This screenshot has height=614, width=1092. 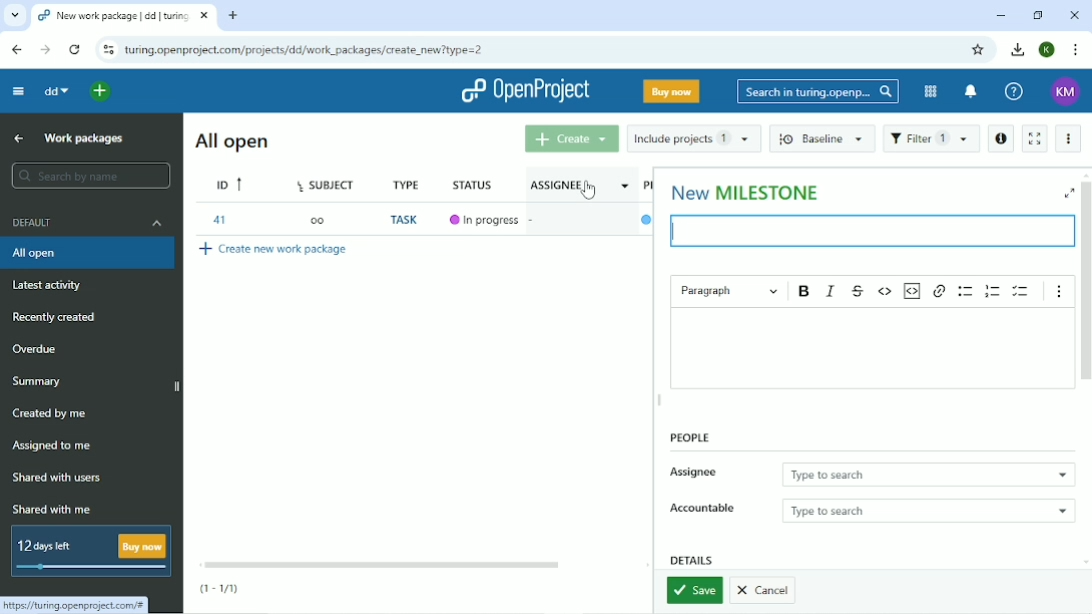 What do you see at coordinates (1065, 92) in the screenshot?
I see `KM` at bounding box center [1065, 92].